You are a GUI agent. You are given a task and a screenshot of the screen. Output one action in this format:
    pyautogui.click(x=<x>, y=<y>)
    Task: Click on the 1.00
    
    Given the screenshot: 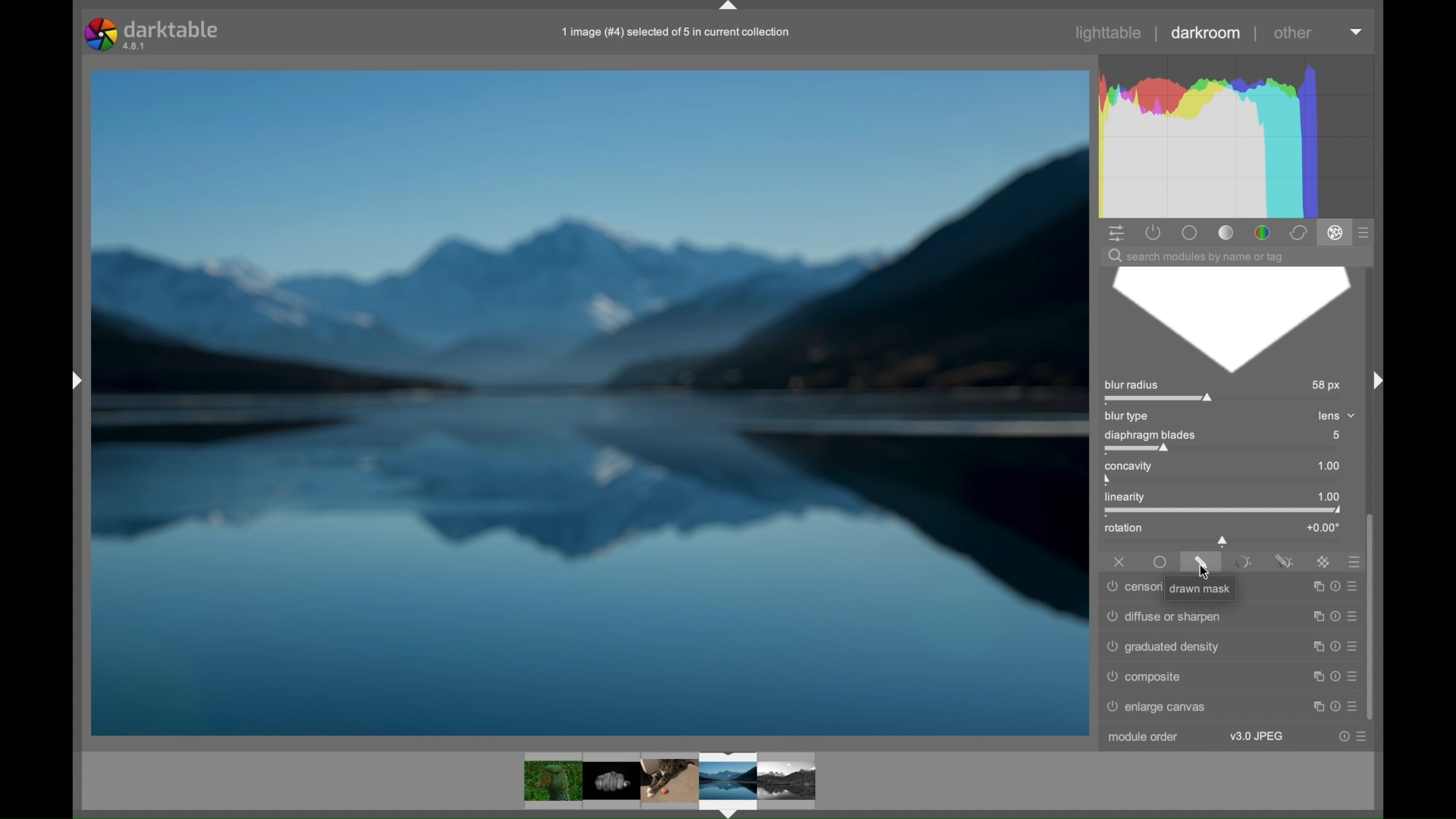 What is the action you would take?
    pyautogui.click(x=1322, y=497)
    